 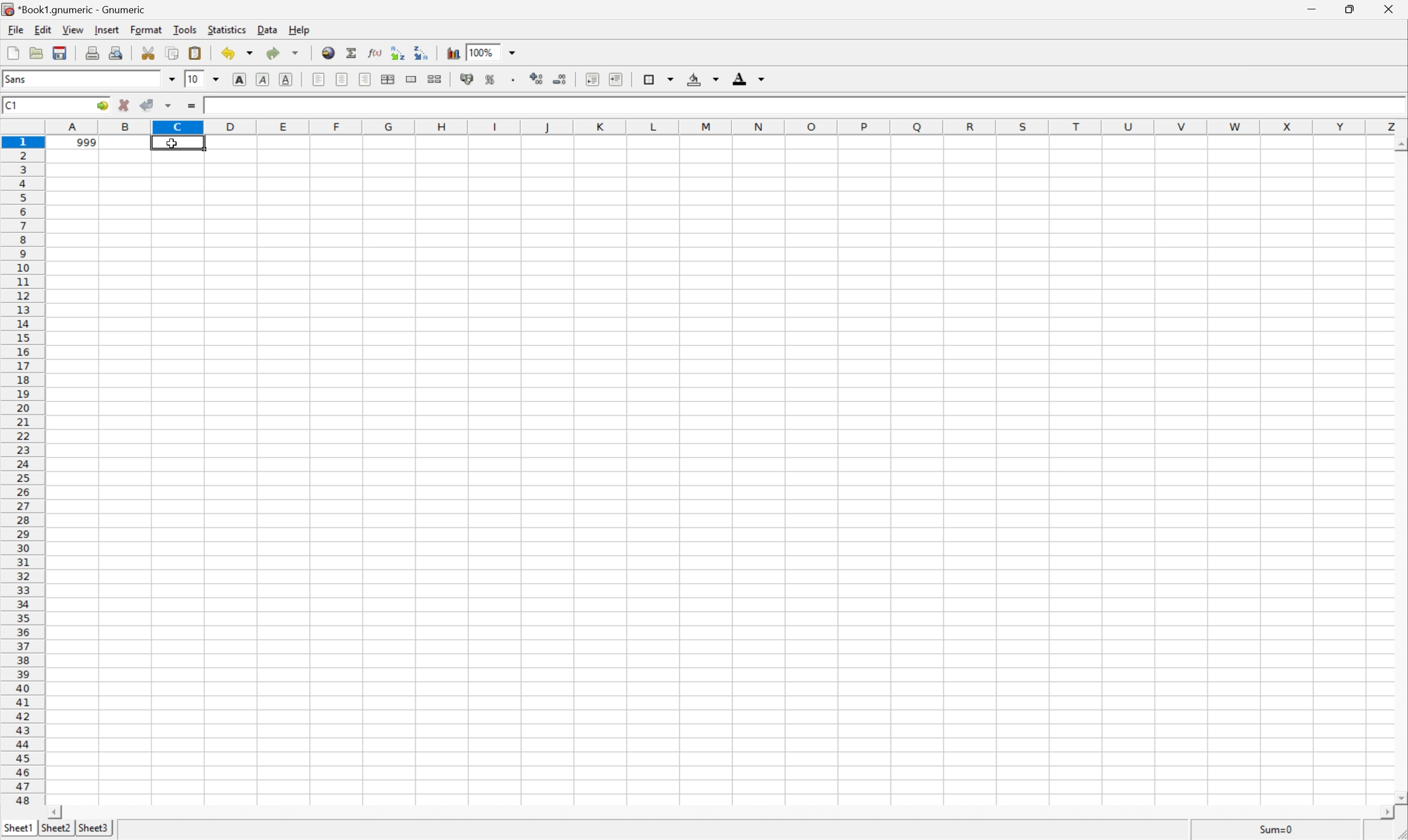 What do you see at coordinates (149, 56) in the screenshot?
I see `cut` at bounding box center [149, 56].